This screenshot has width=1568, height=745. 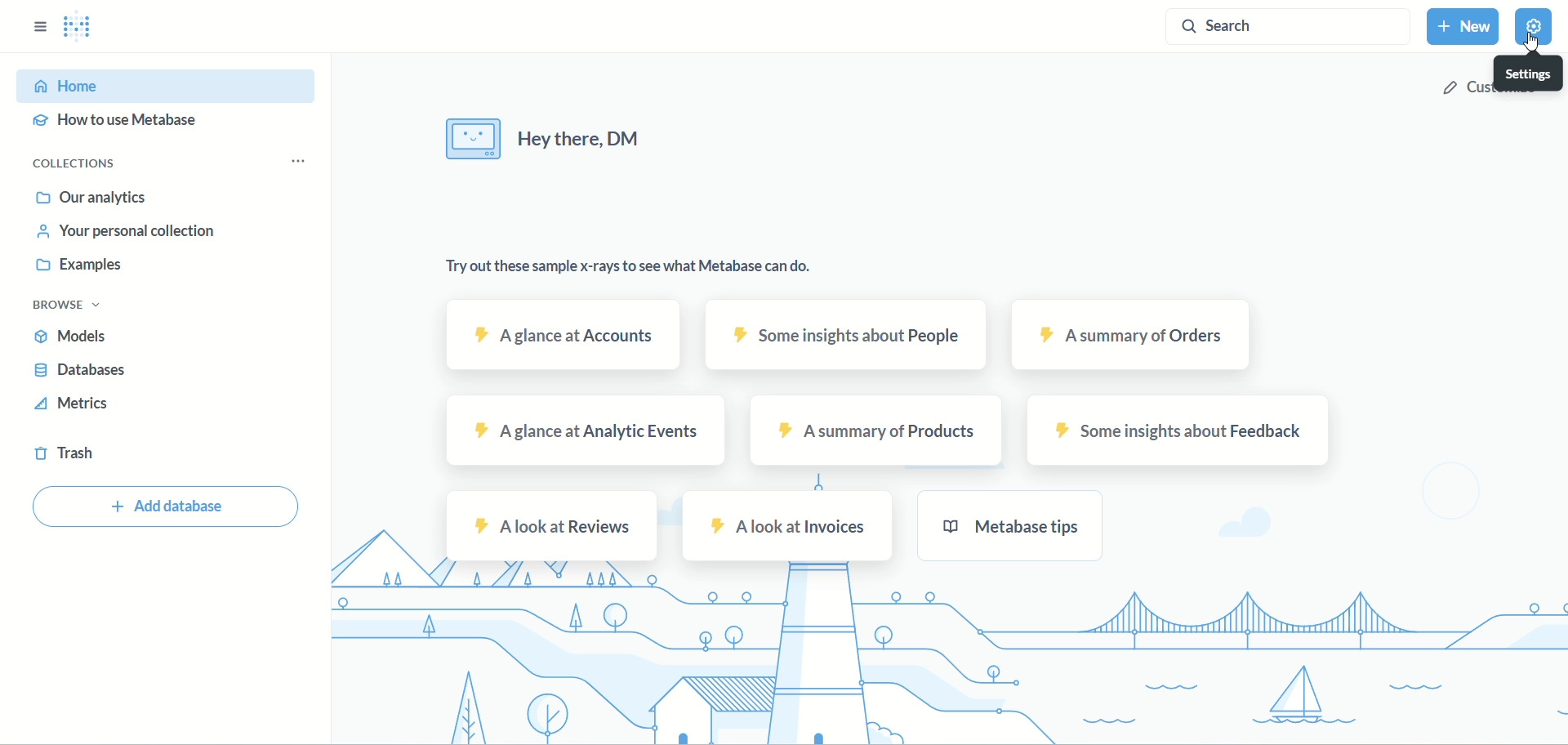 What do you see at coordinates (129, 233) in the screenshot?
I see `your personal collection` at bounding box center [129, 233].